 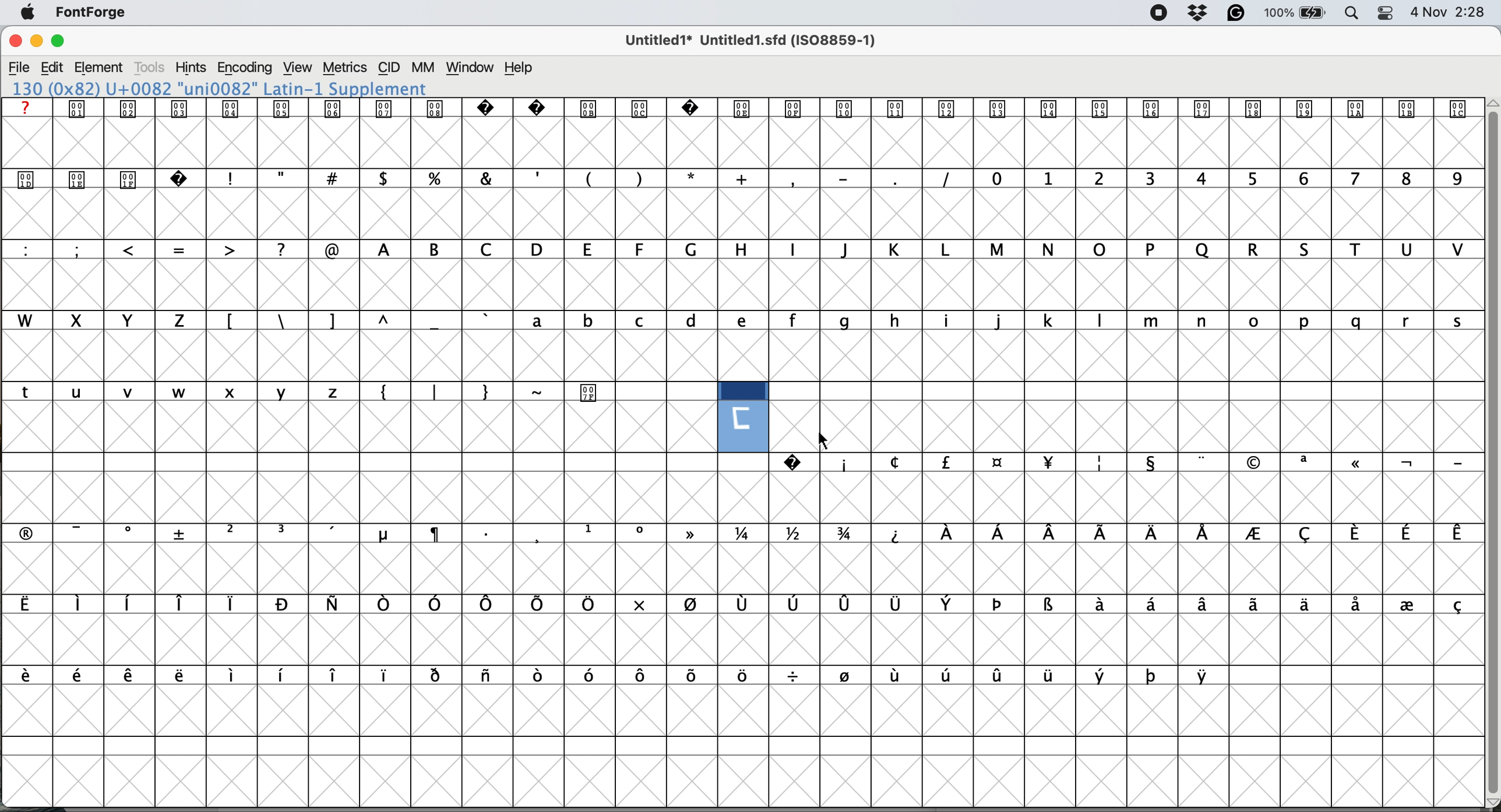 I want to click on vertical scroll bar, so click(x=1491, y=448).